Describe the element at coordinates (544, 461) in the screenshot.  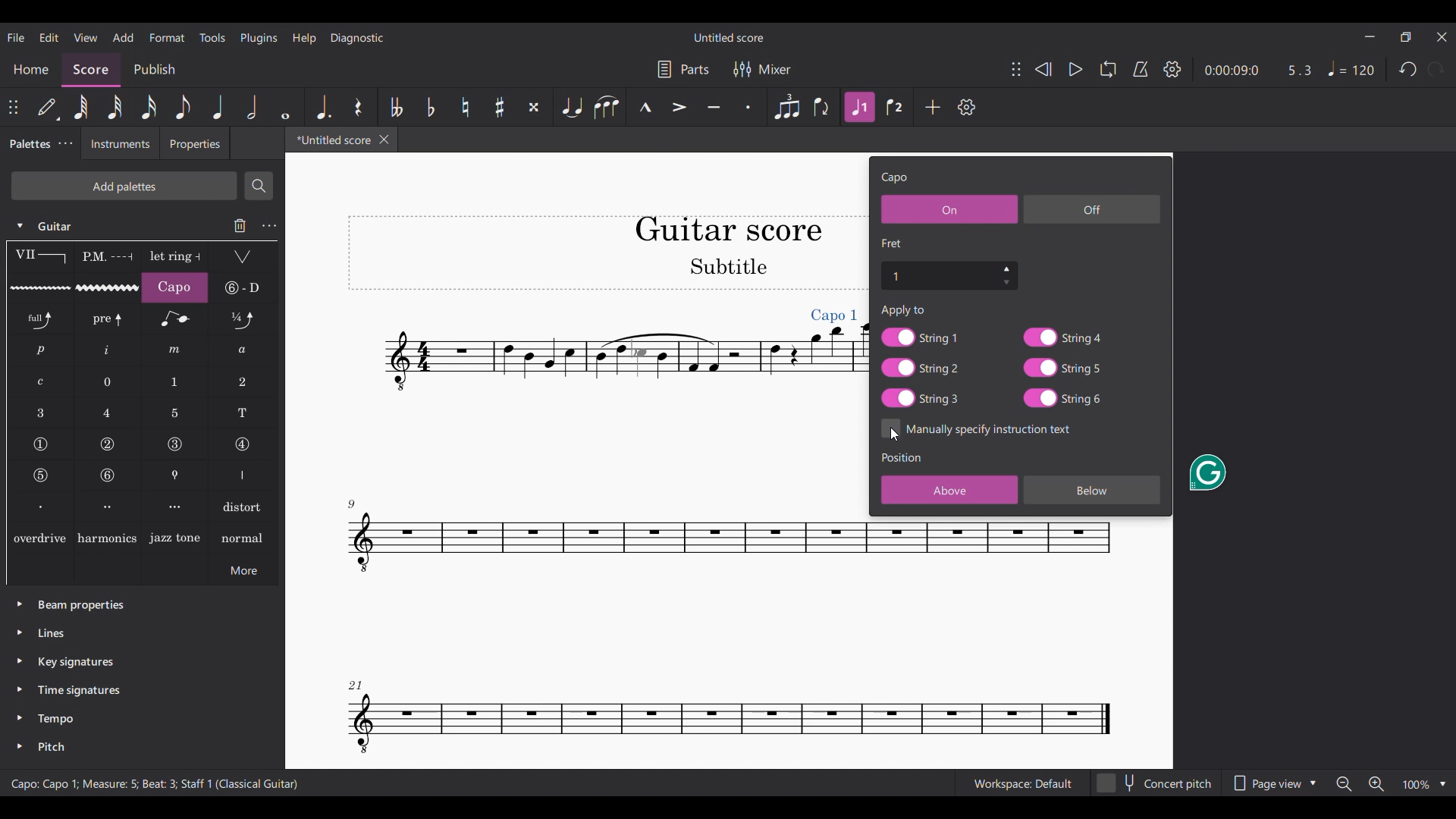
I see `Current score` at that location.